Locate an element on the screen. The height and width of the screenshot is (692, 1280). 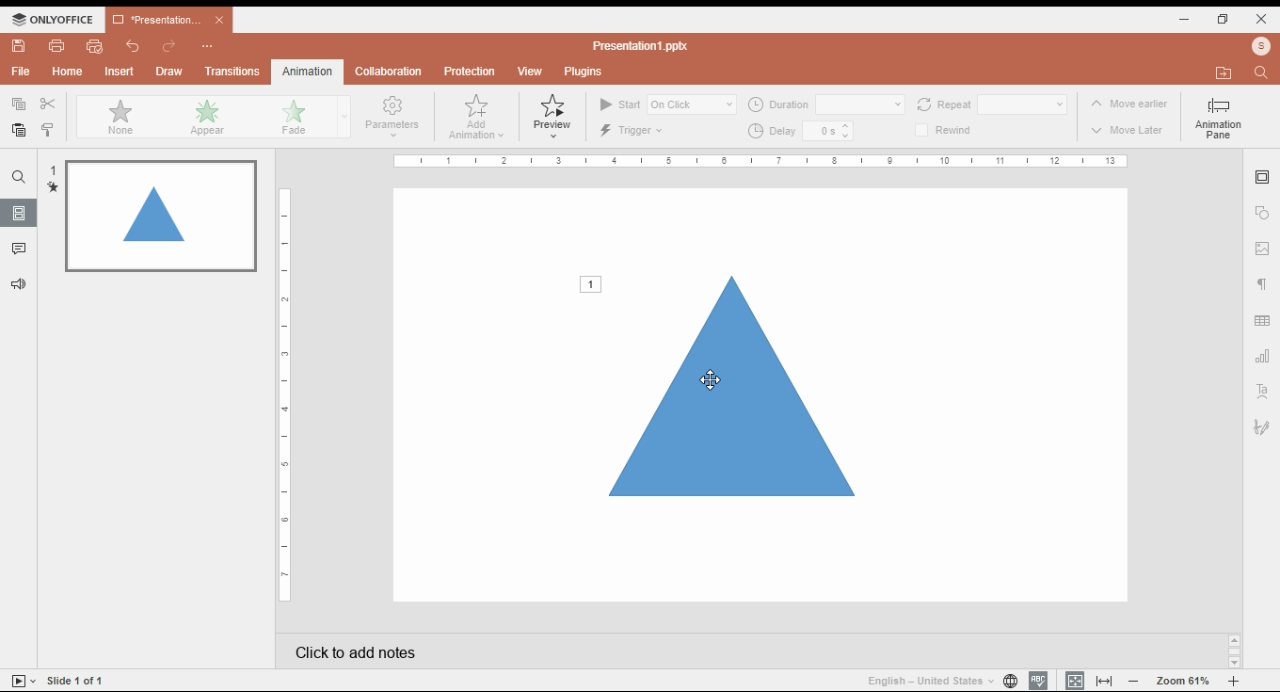
protection is located at coordinates (469, 73).